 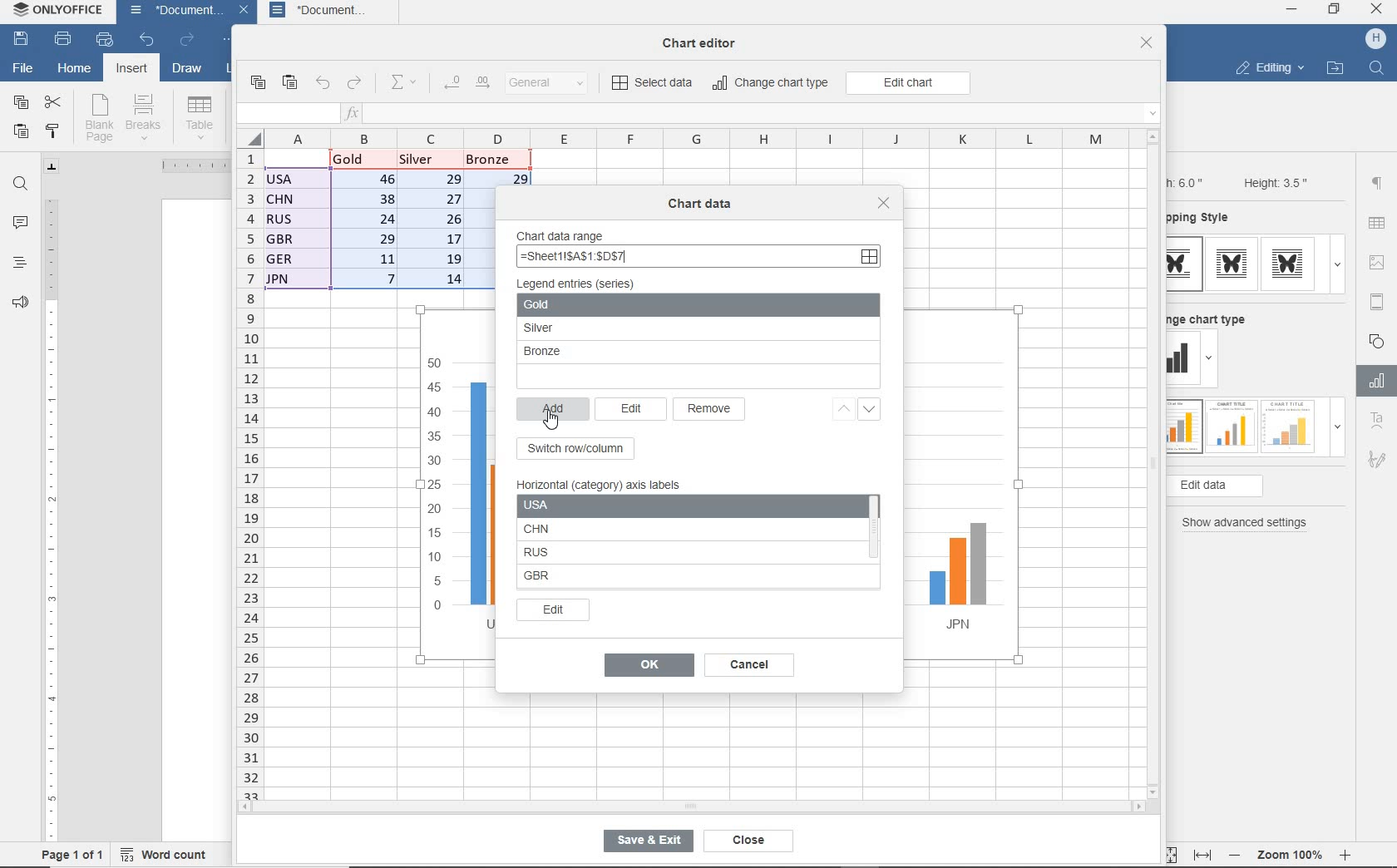 I want to click on close, so click(x=886, y=204).